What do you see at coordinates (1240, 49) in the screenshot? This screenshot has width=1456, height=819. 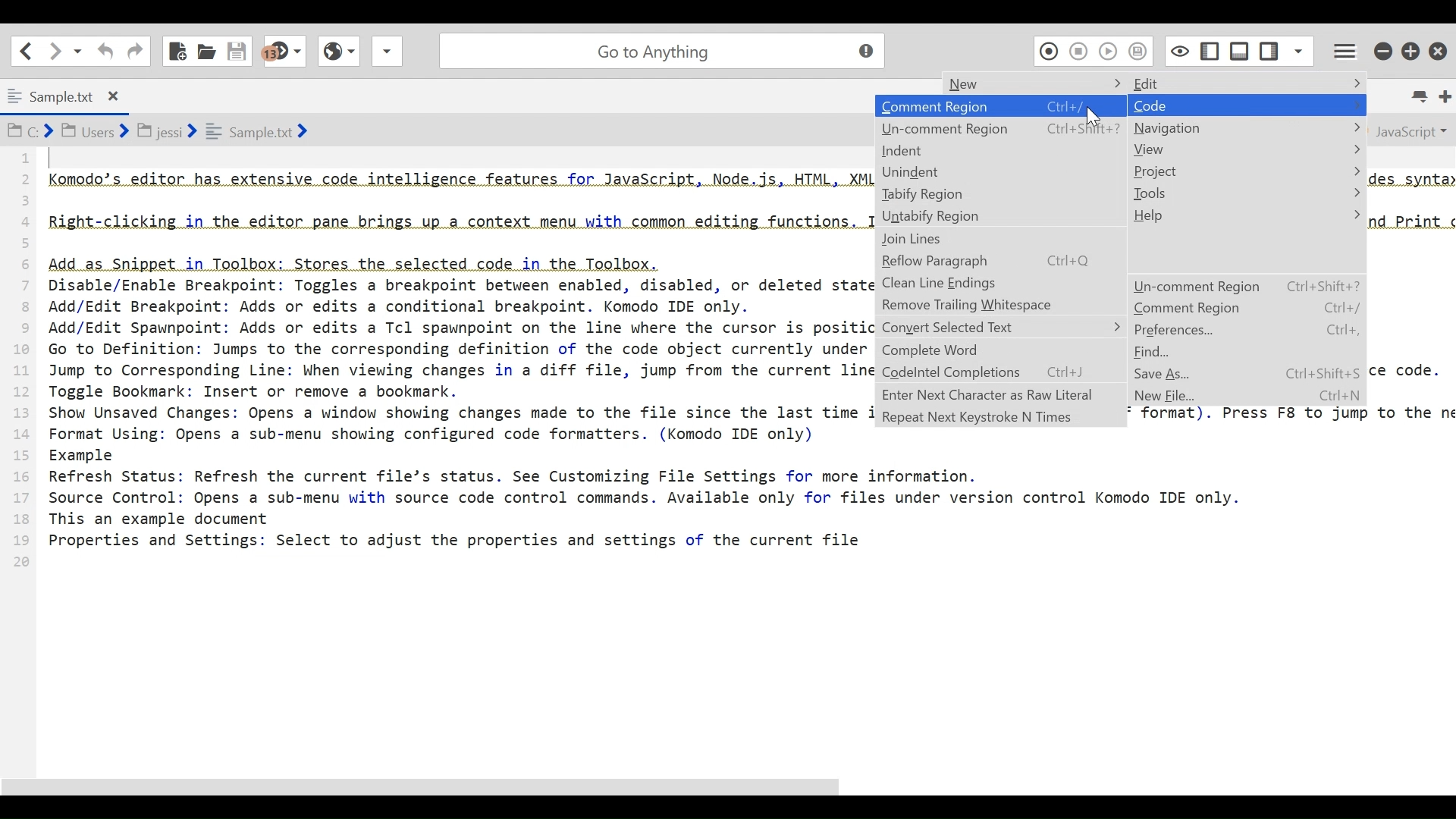 I see `Show/Hide Bottom Panel` at bounding box center [1240, 49].